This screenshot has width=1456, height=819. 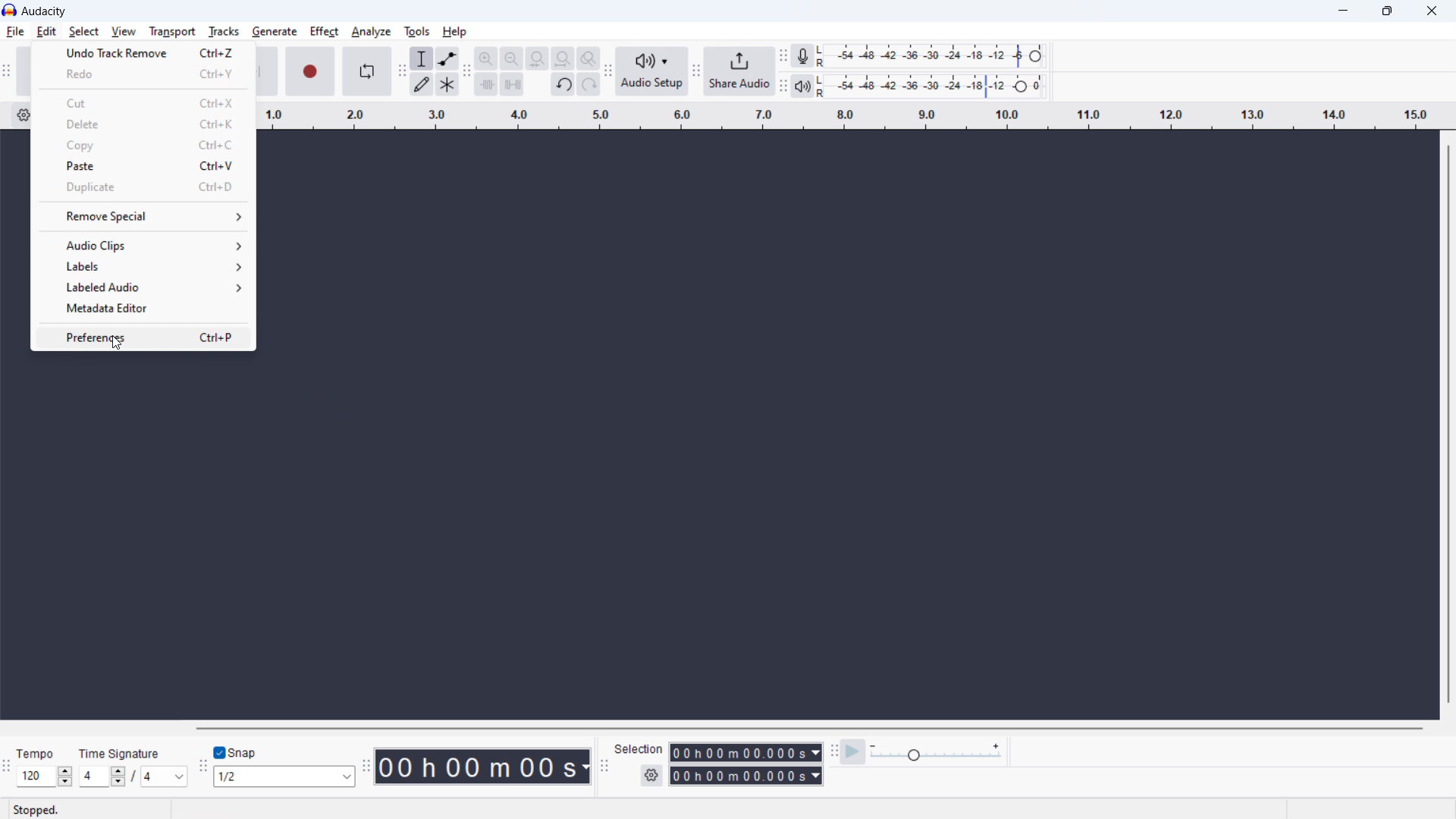 I want to click on set tempo, so click(x=44, y=776).